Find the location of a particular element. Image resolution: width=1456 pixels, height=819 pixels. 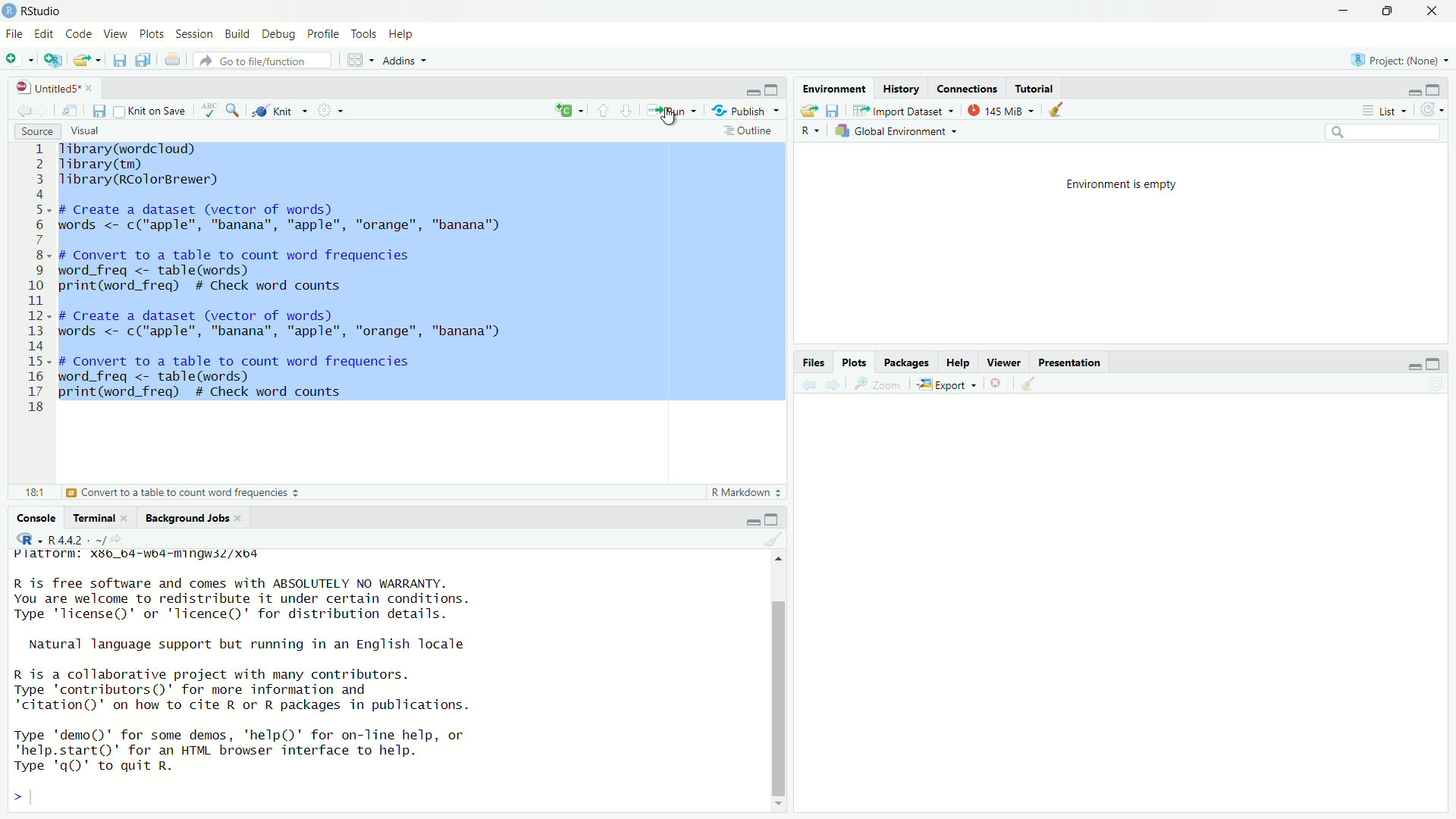

Tools is located at coordinates (363, 33).